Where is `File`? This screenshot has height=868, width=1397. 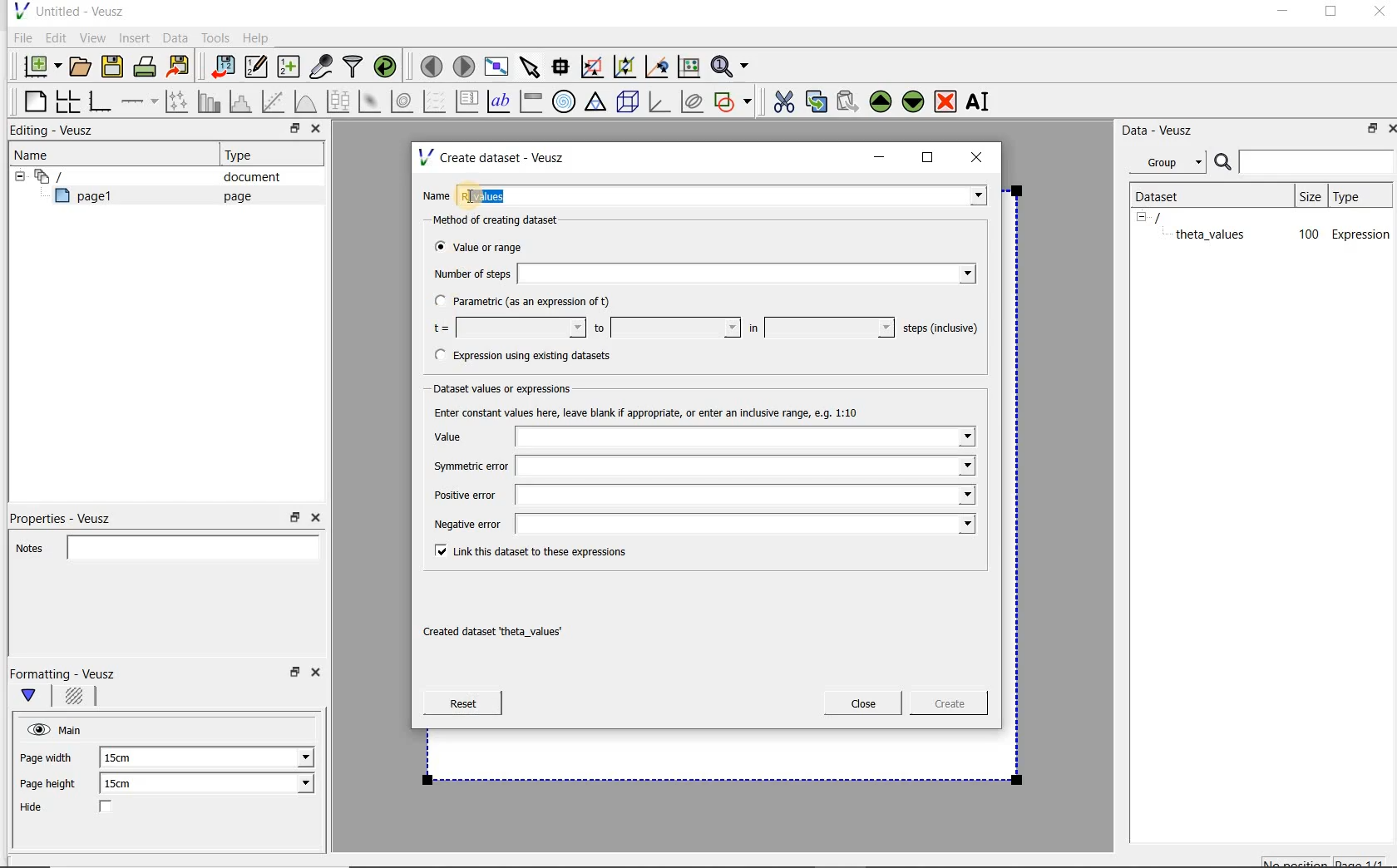 File is located at coordinates (20, 38).